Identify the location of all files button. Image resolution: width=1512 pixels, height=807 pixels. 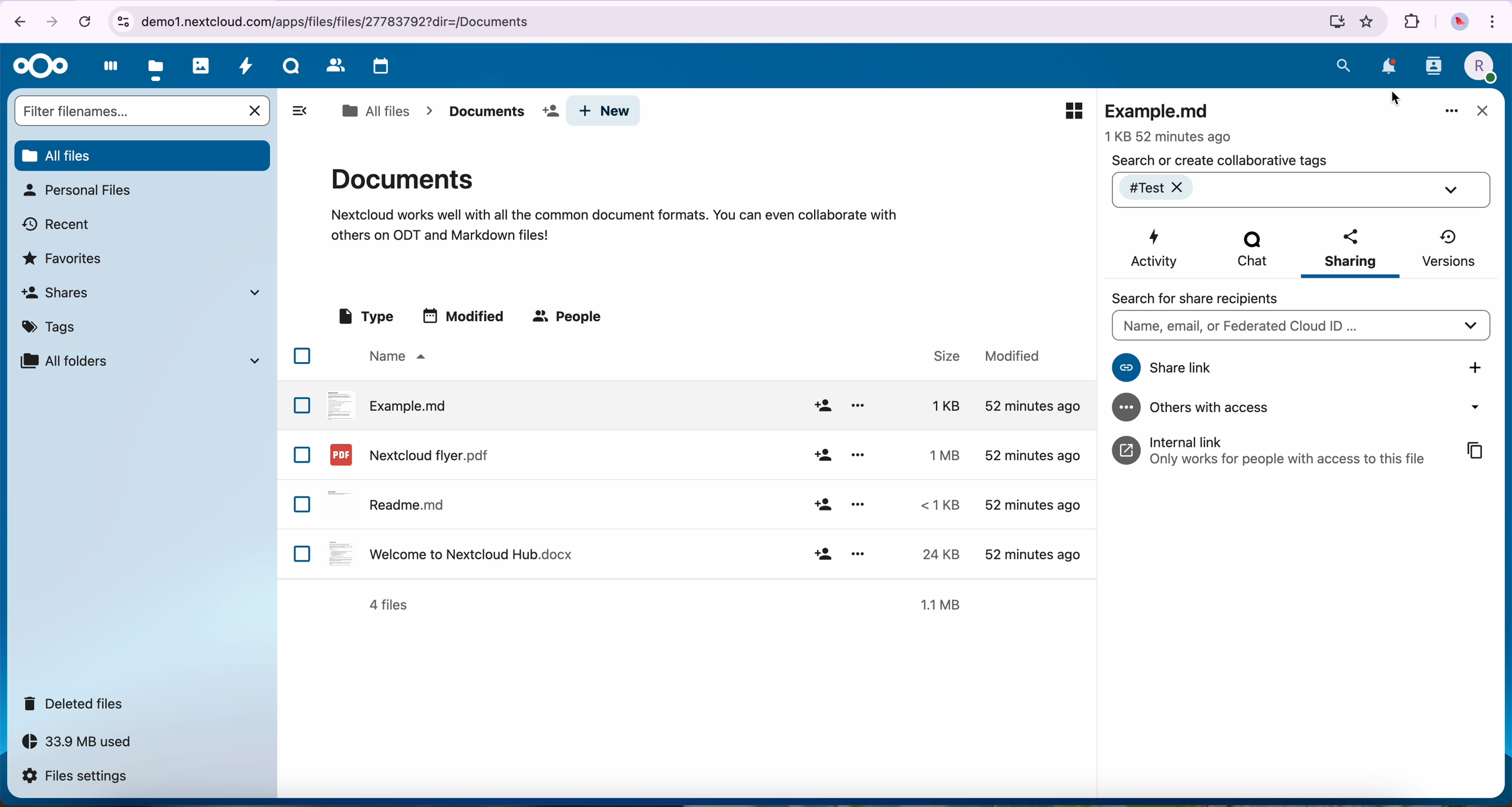
(141, 154).